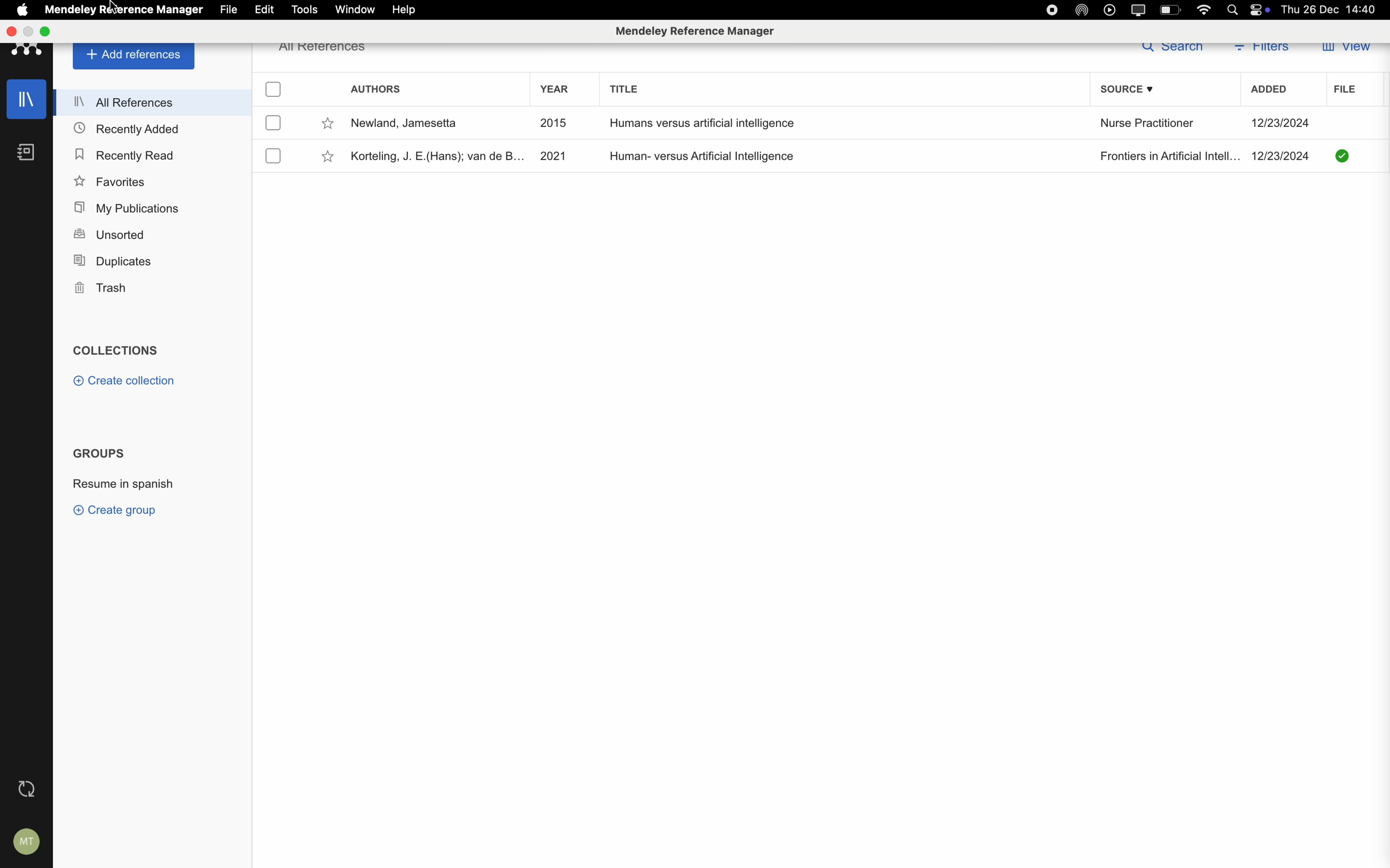  Describe the element at coordinates (329, 157) in the screenshot. I see `favorite` at that location.